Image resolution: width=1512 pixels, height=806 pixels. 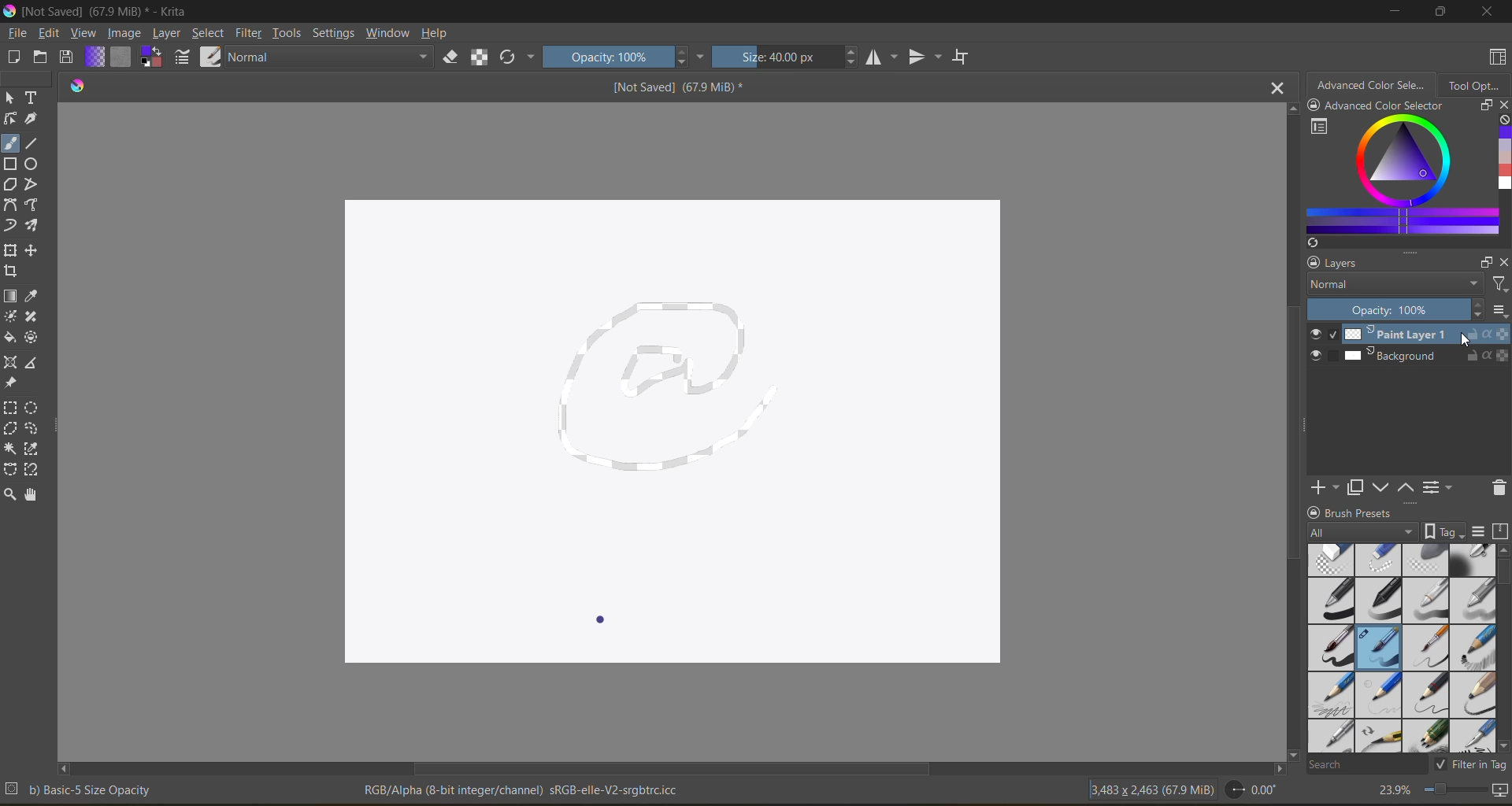 I want to click on search, so click(x=1366, y=767).